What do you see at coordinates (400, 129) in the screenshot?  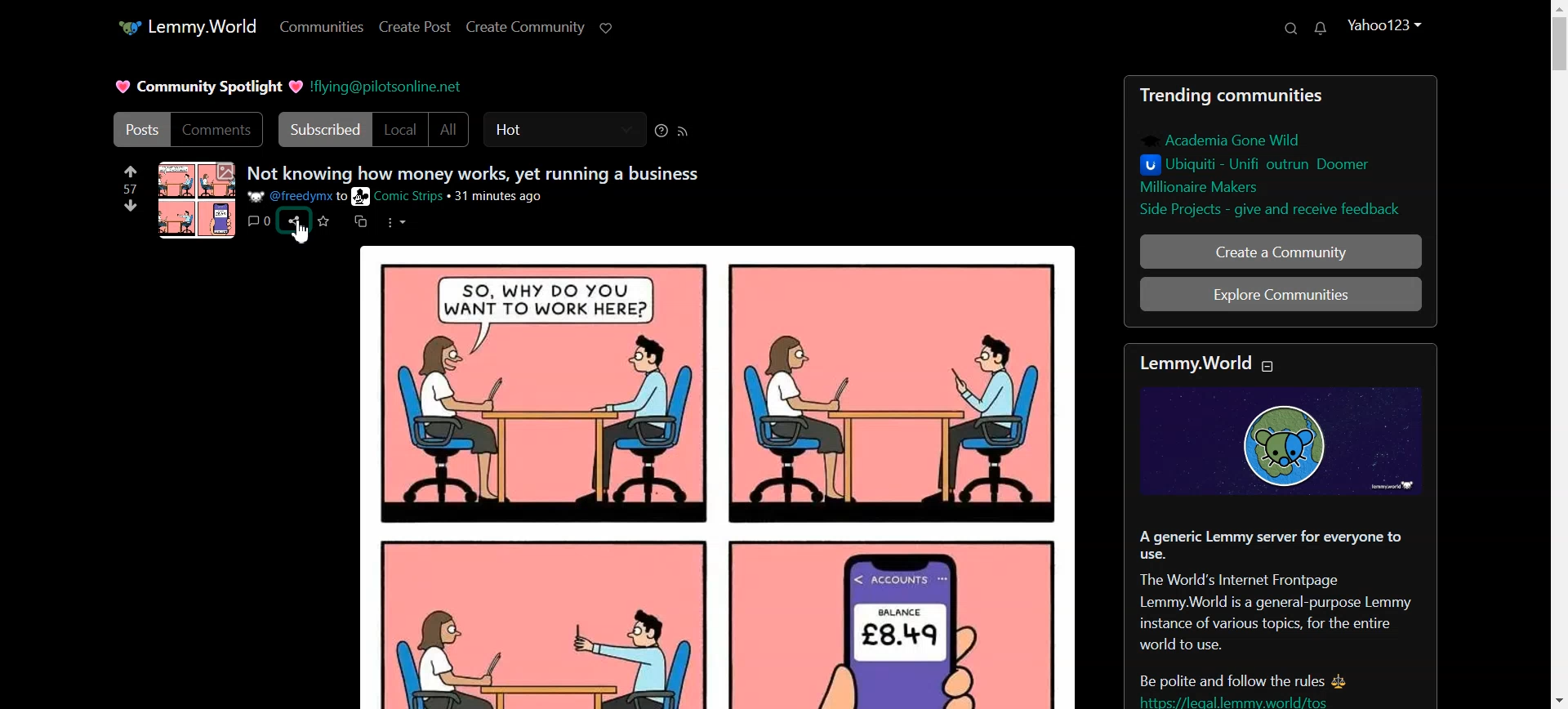 I see `Local` at bounding box center [400, 129].